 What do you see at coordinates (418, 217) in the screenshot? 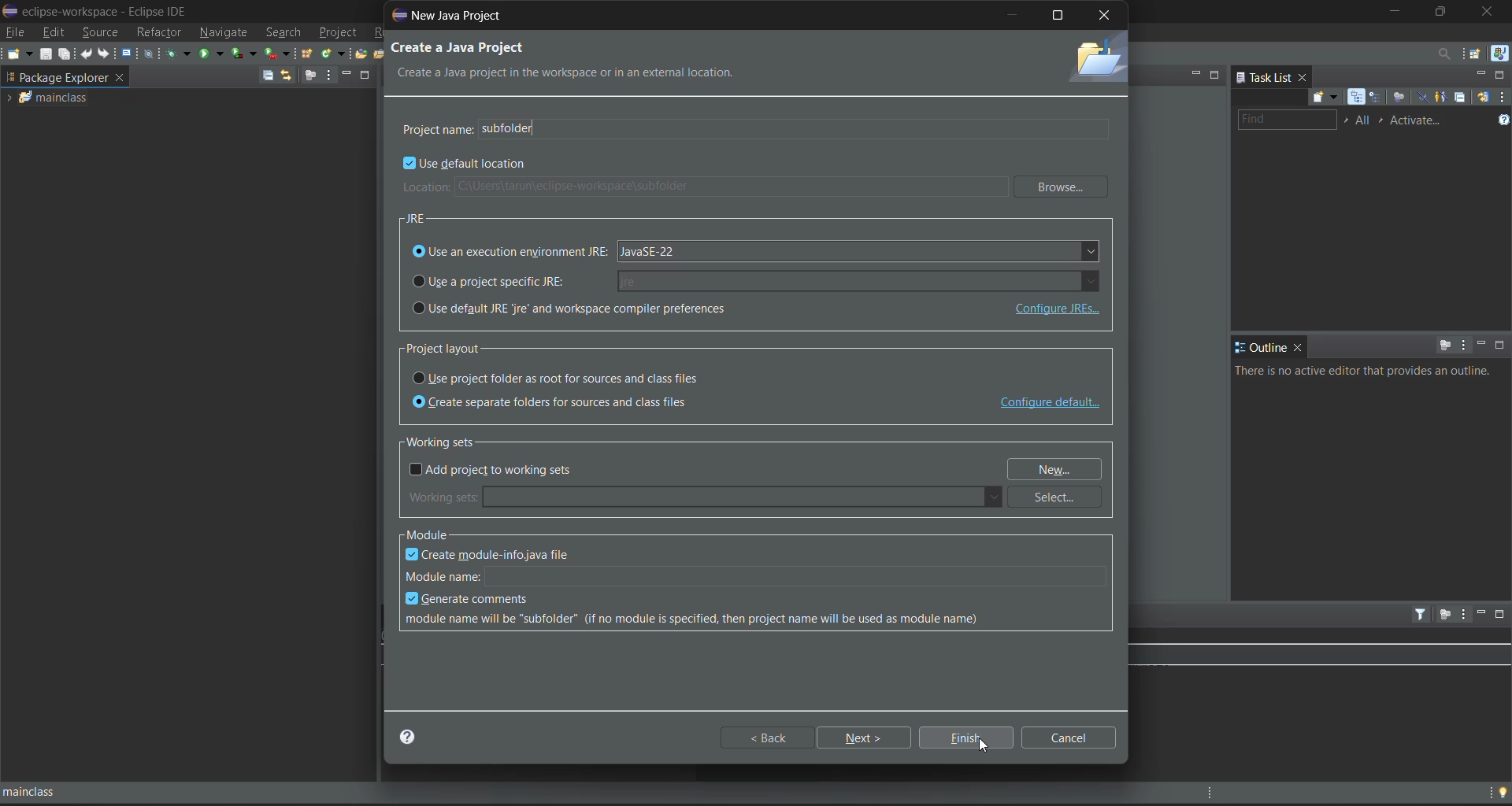
I see `JRE` at bounding box center [418, 217].